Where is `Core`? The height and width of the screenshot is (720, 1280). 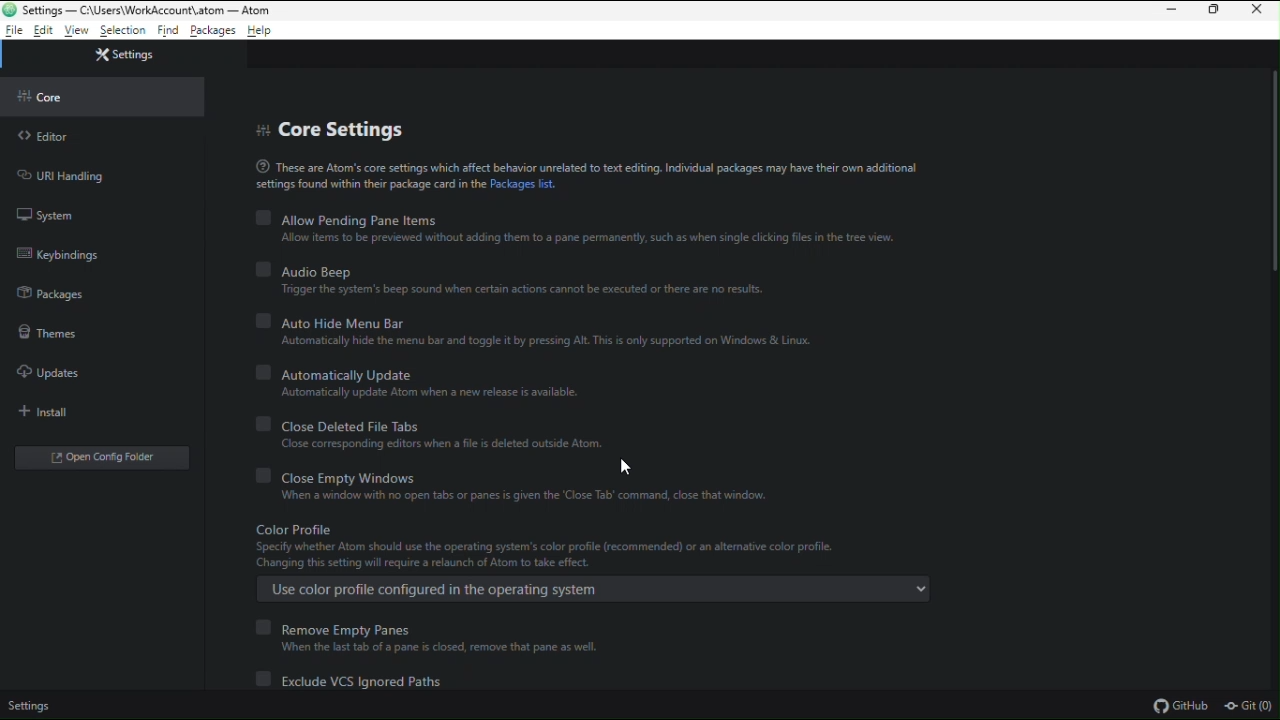
Core is located at coordinates (47, 96).